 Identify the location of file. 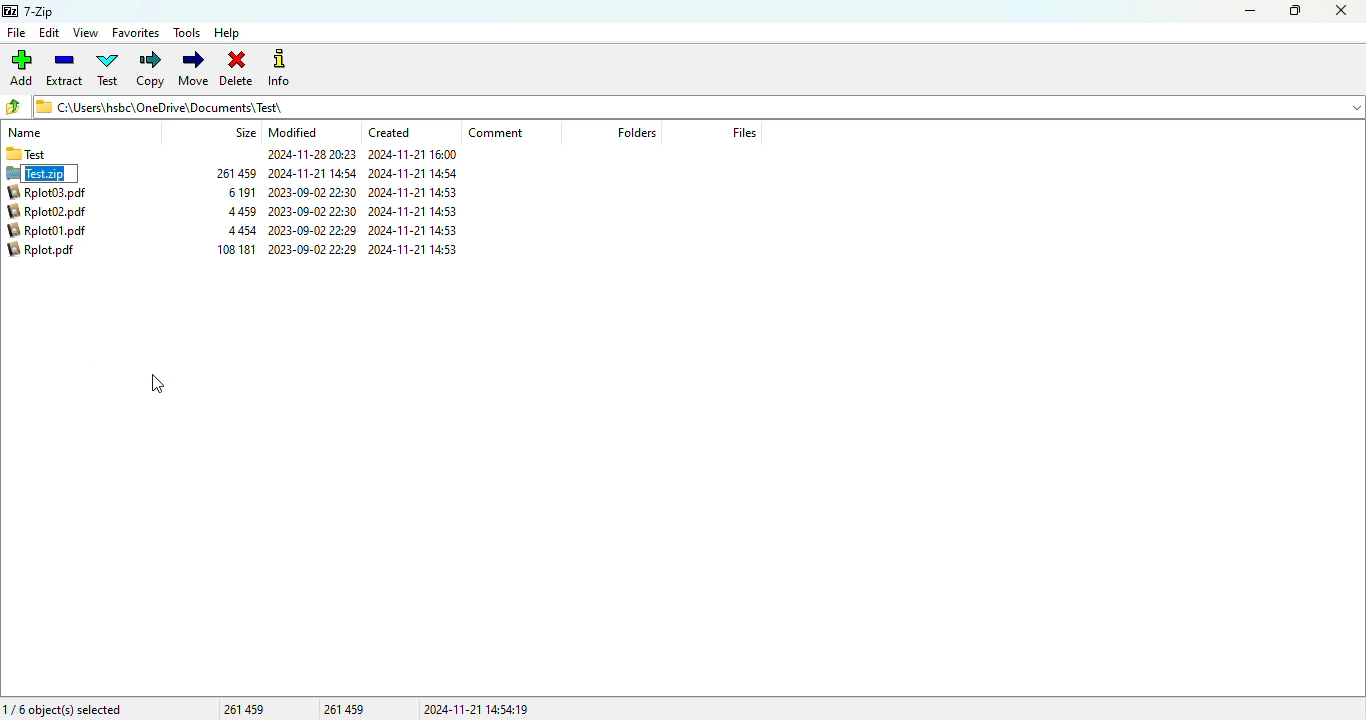
(15, 33).